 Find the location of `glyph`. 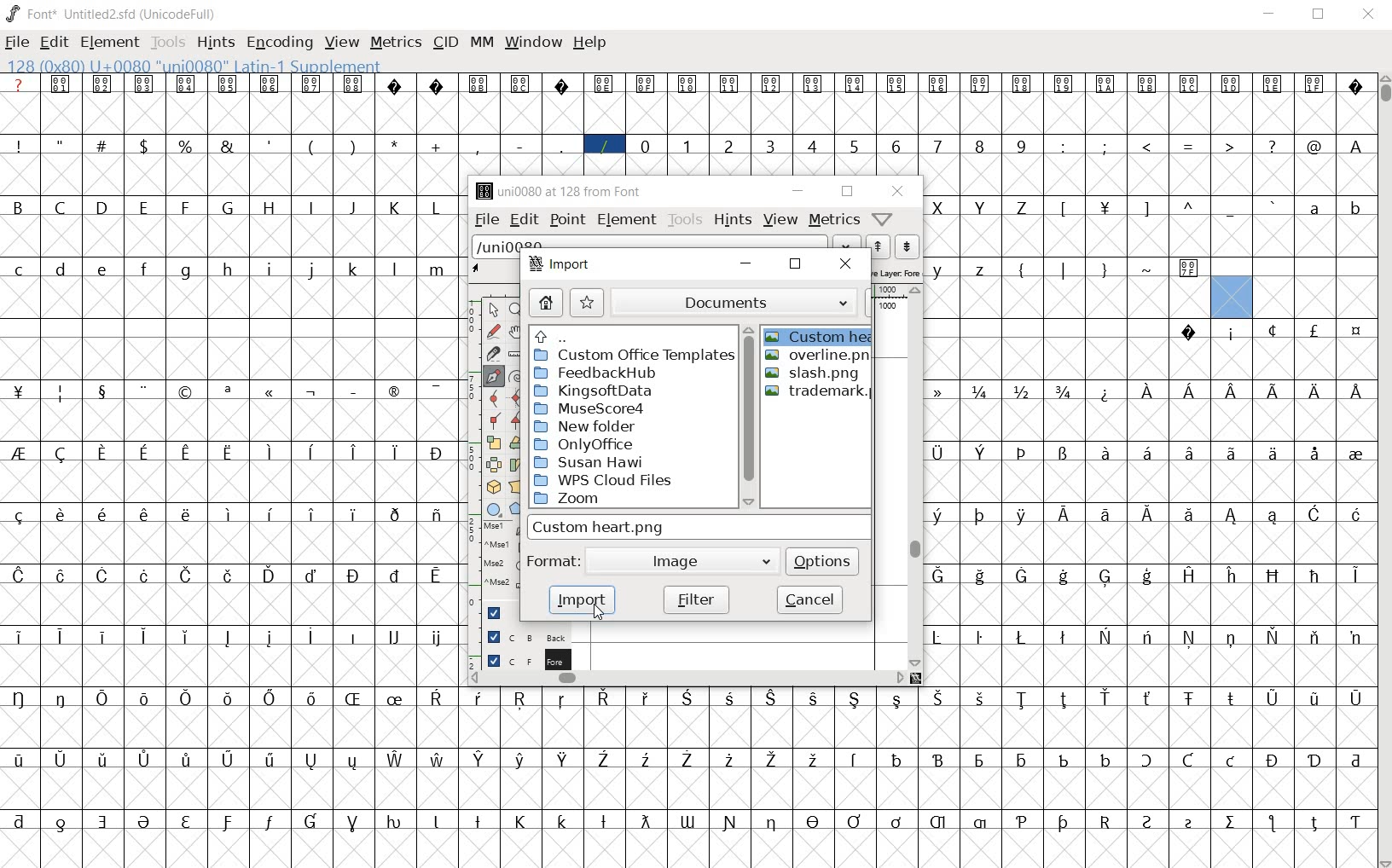

glyph is located at coordinates (144, 84).